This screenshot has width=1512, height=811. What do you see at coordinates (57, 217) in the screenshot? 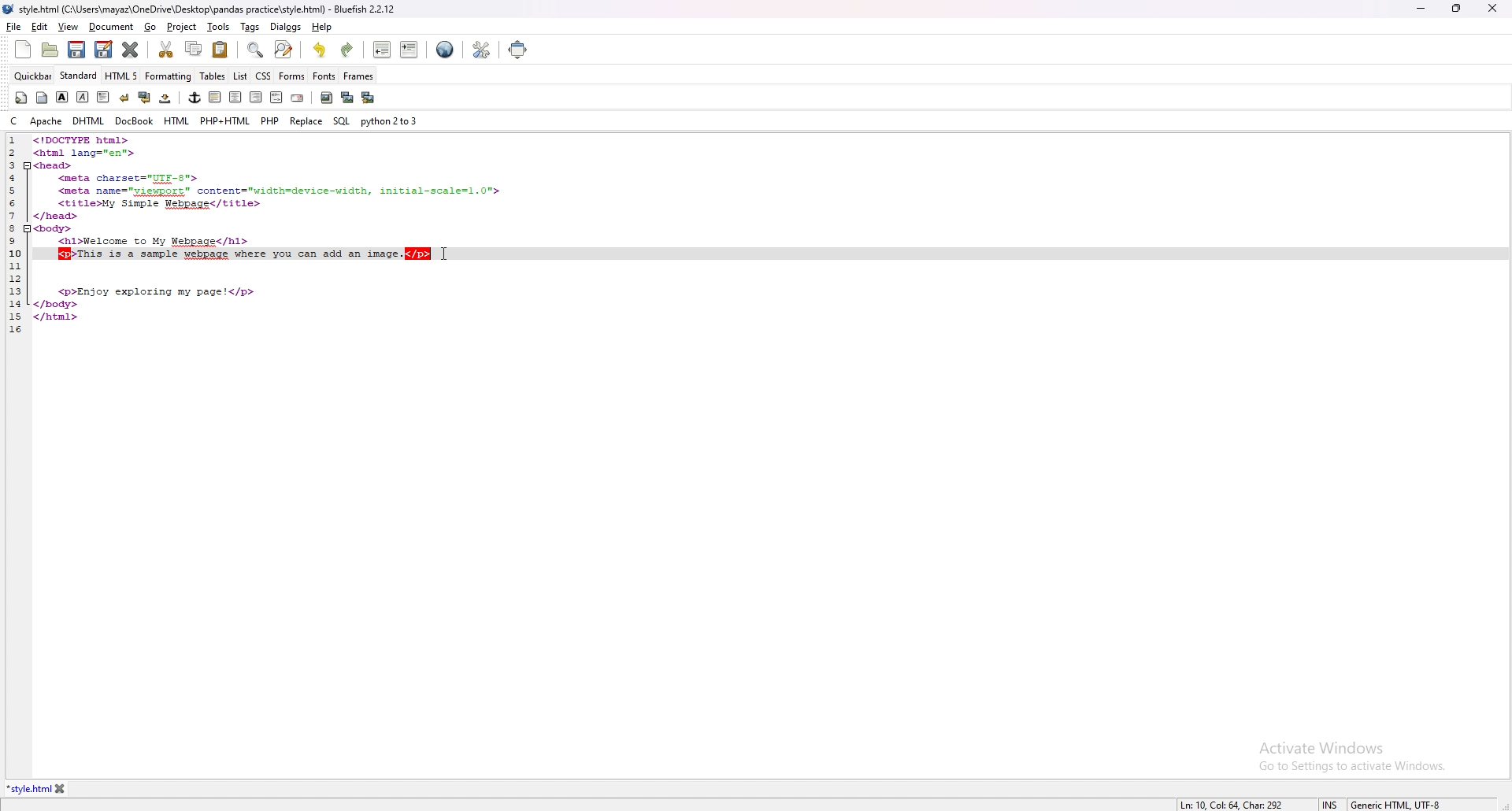
I see `</head>` at bounding box center [57, 217].